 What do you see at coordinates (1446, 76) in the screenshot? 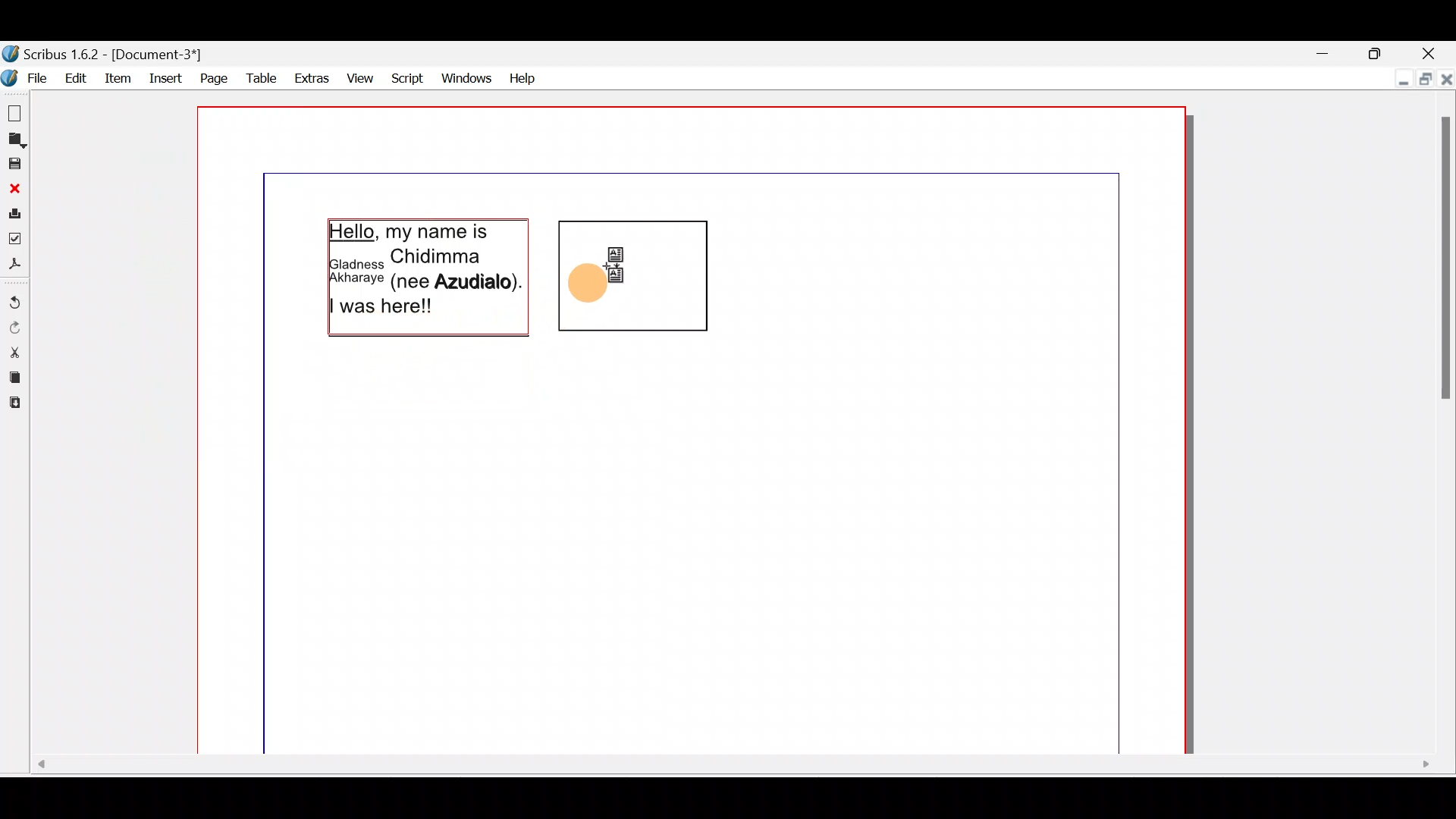
I see `Close` at bounding box center [1446, 76].